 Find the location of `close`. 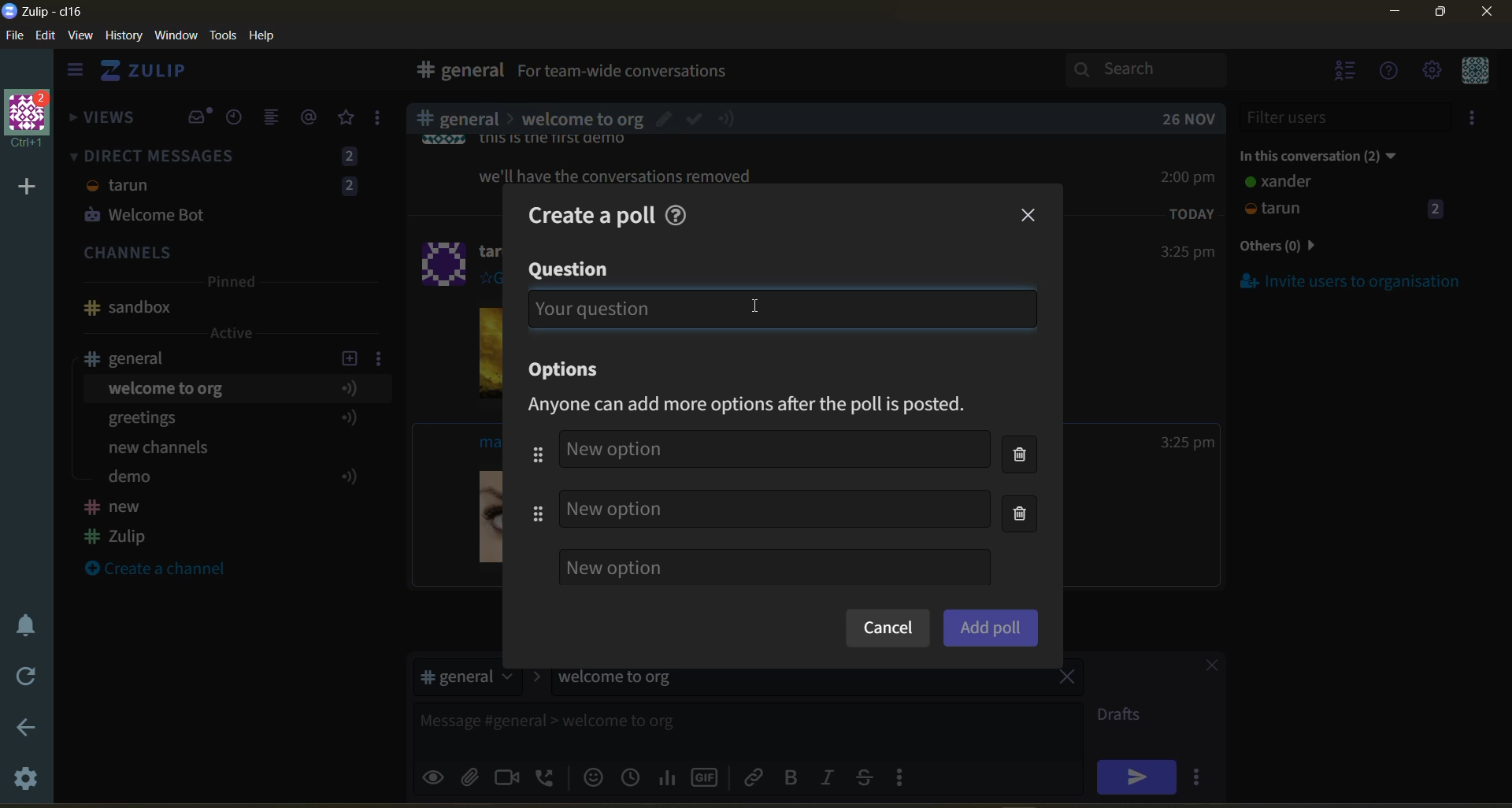

close is located at coordinates (1030, 216).